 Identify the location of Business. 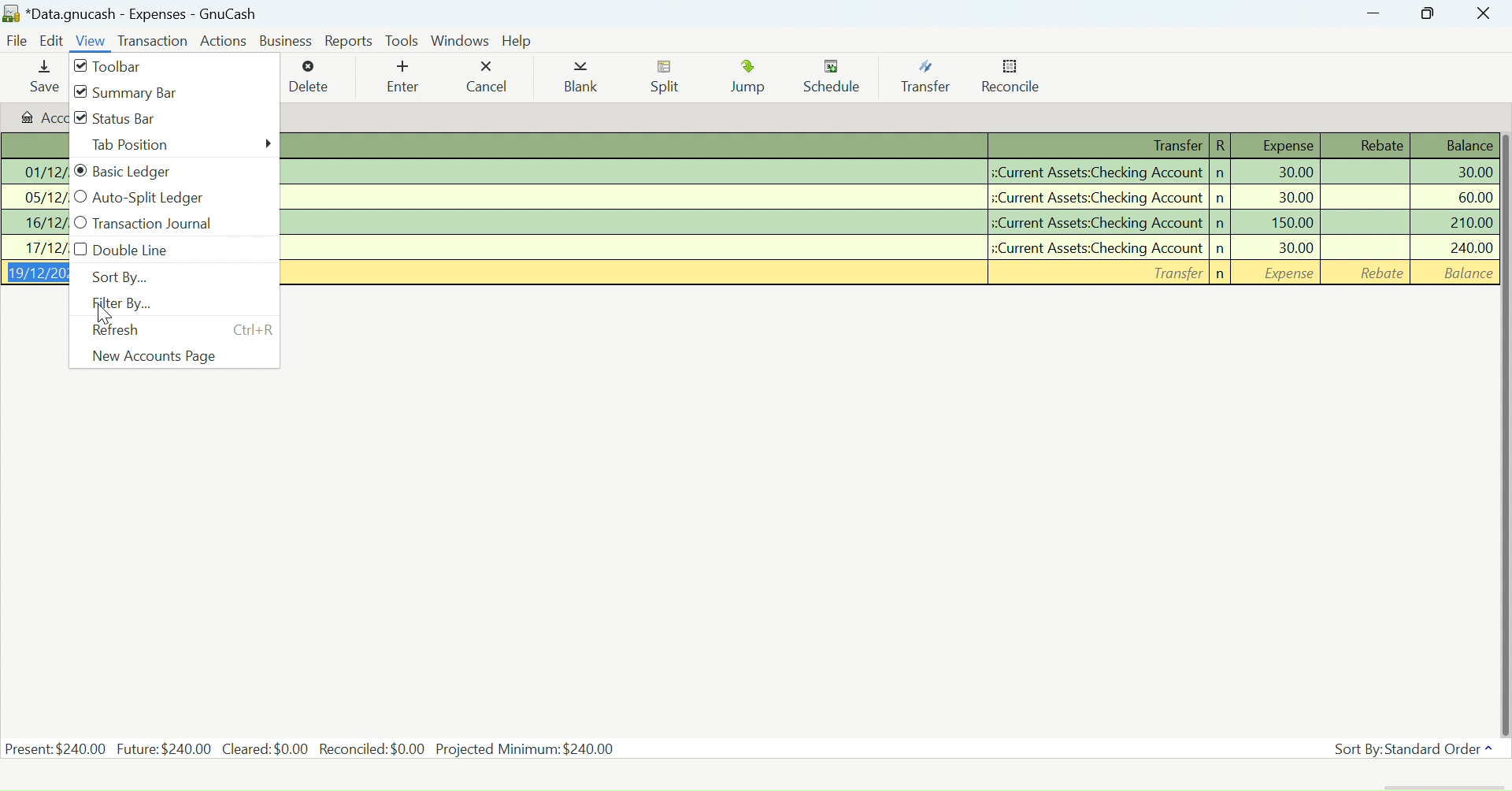
(288, 41).